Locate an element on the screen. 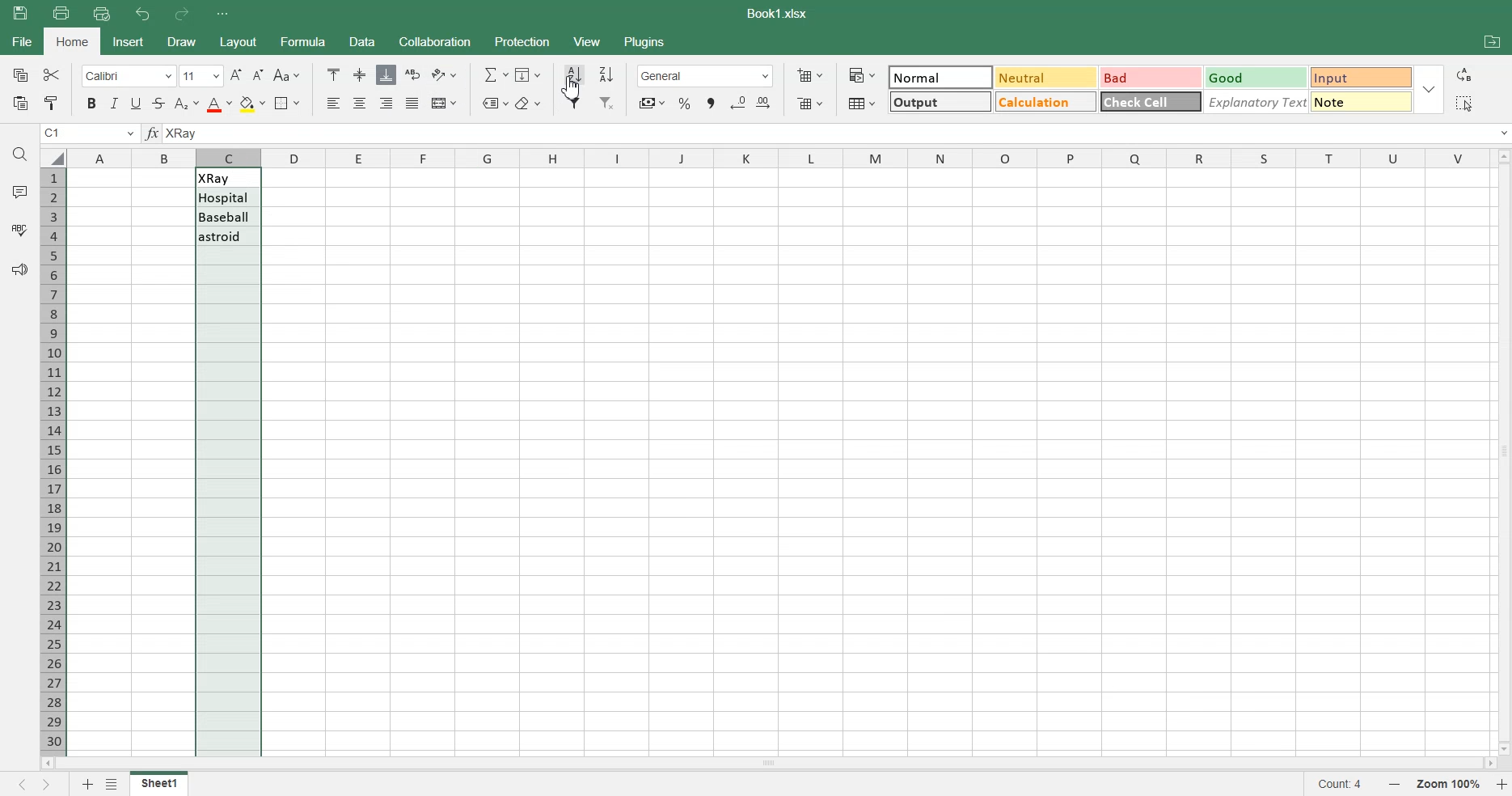 The width and height of the screenshot is (1512, 796). Add Note is located at coordinates (18, 191).